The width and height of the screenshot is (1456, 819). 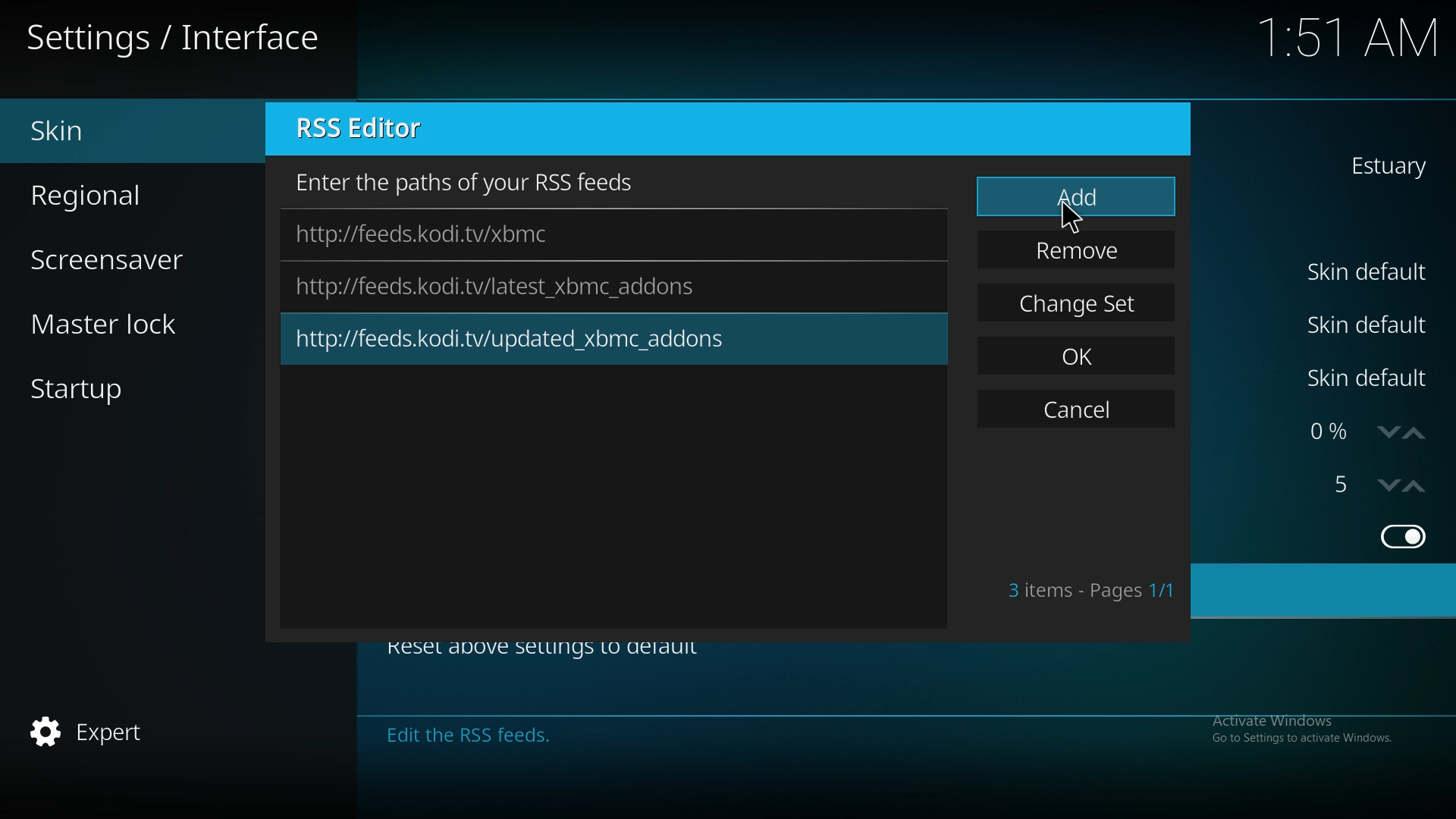 I want to click on master lock, so click(x=129, y=323).